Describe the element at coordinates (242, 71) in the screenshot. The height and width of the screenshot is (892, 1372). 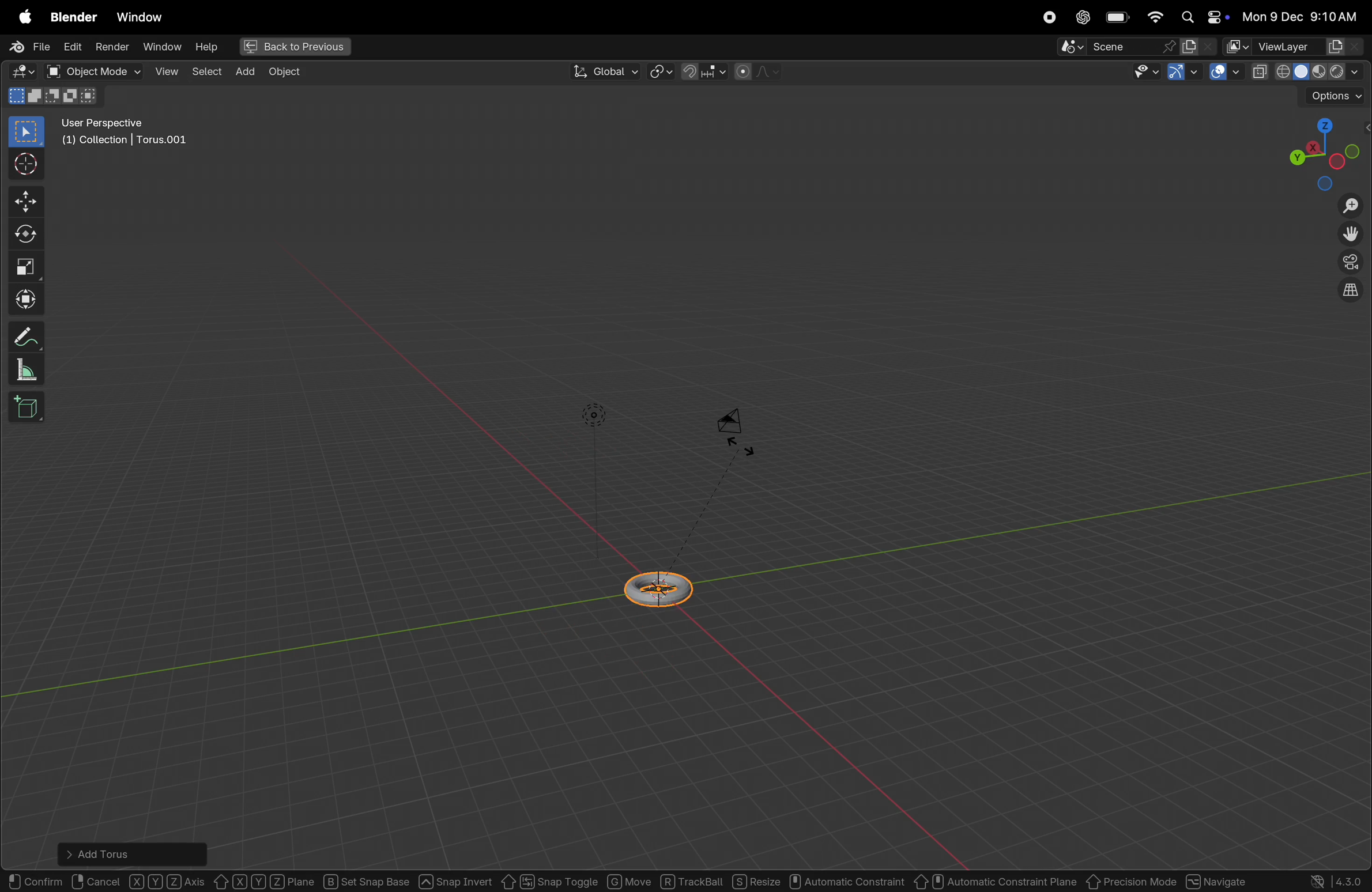
I see `add` at that location.